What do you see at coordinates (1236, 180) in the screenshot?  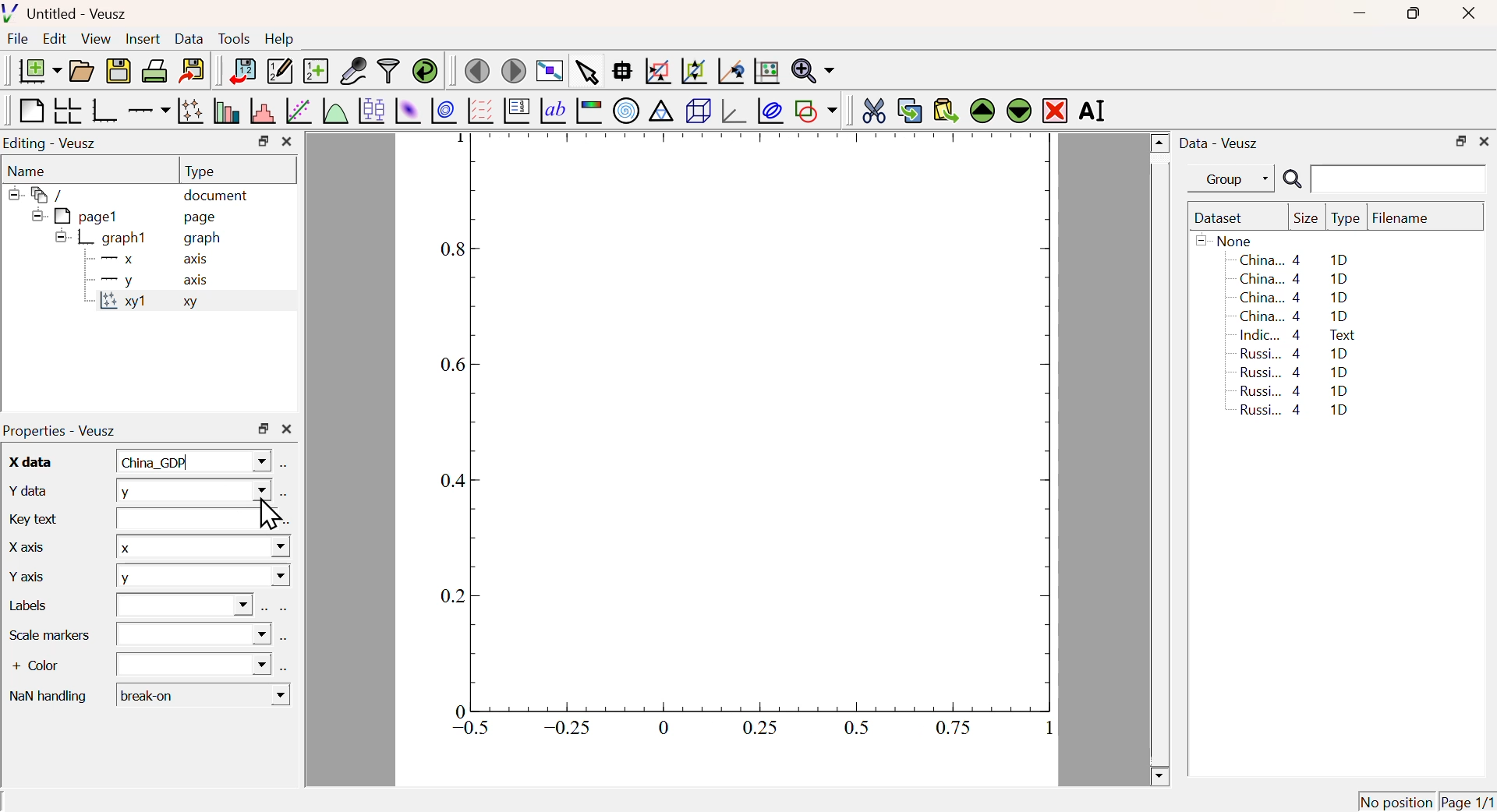 I see `Group` at bounding box center [1236, 180].